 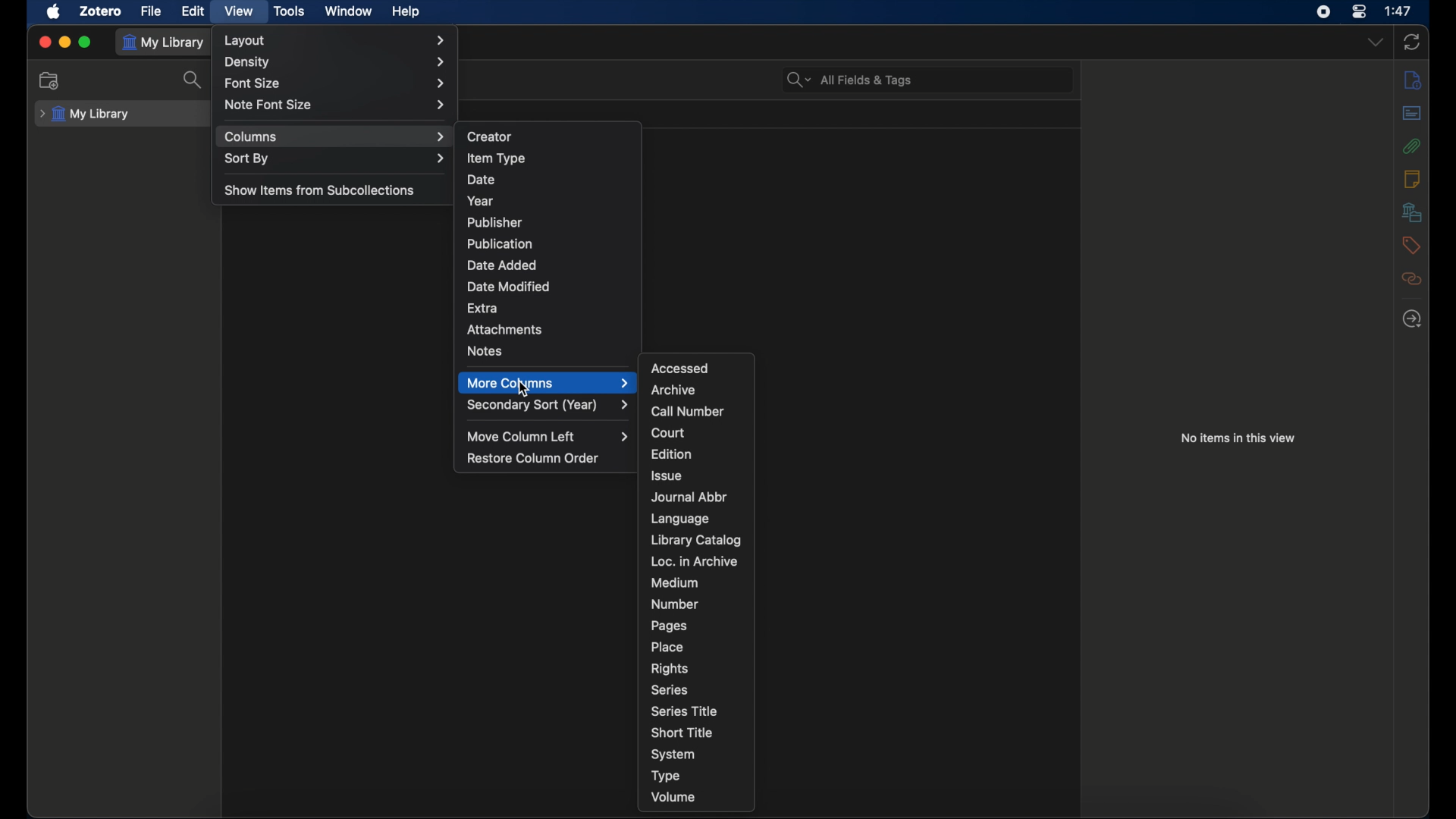 What do you see at coordinates (1412, 318) in the screenshot?
I see `locate` at bounding box center [1412, 318].